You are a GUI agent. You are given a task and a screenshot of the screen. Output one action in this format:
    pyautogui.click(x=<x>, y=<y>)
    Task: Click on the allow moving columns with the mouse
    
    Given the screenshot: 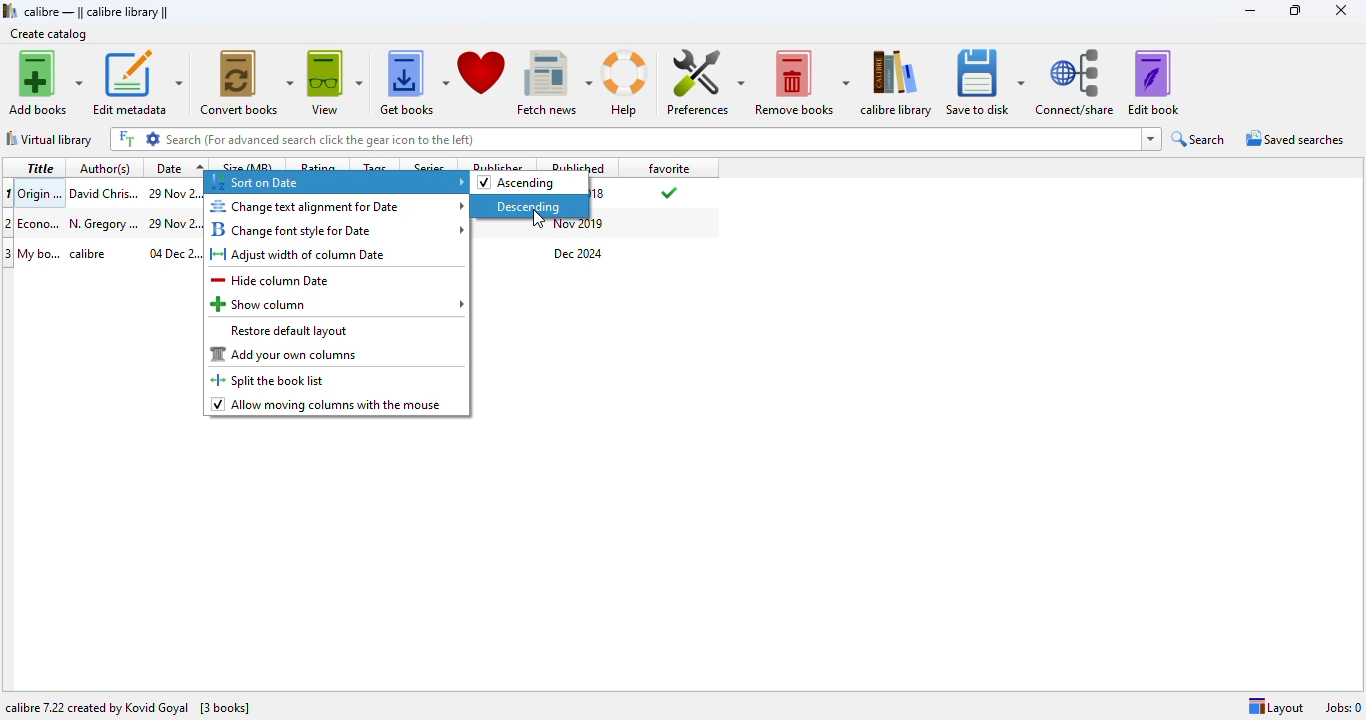 What is the action you would take?
    pyautogui.click(x=327, y=405)
    